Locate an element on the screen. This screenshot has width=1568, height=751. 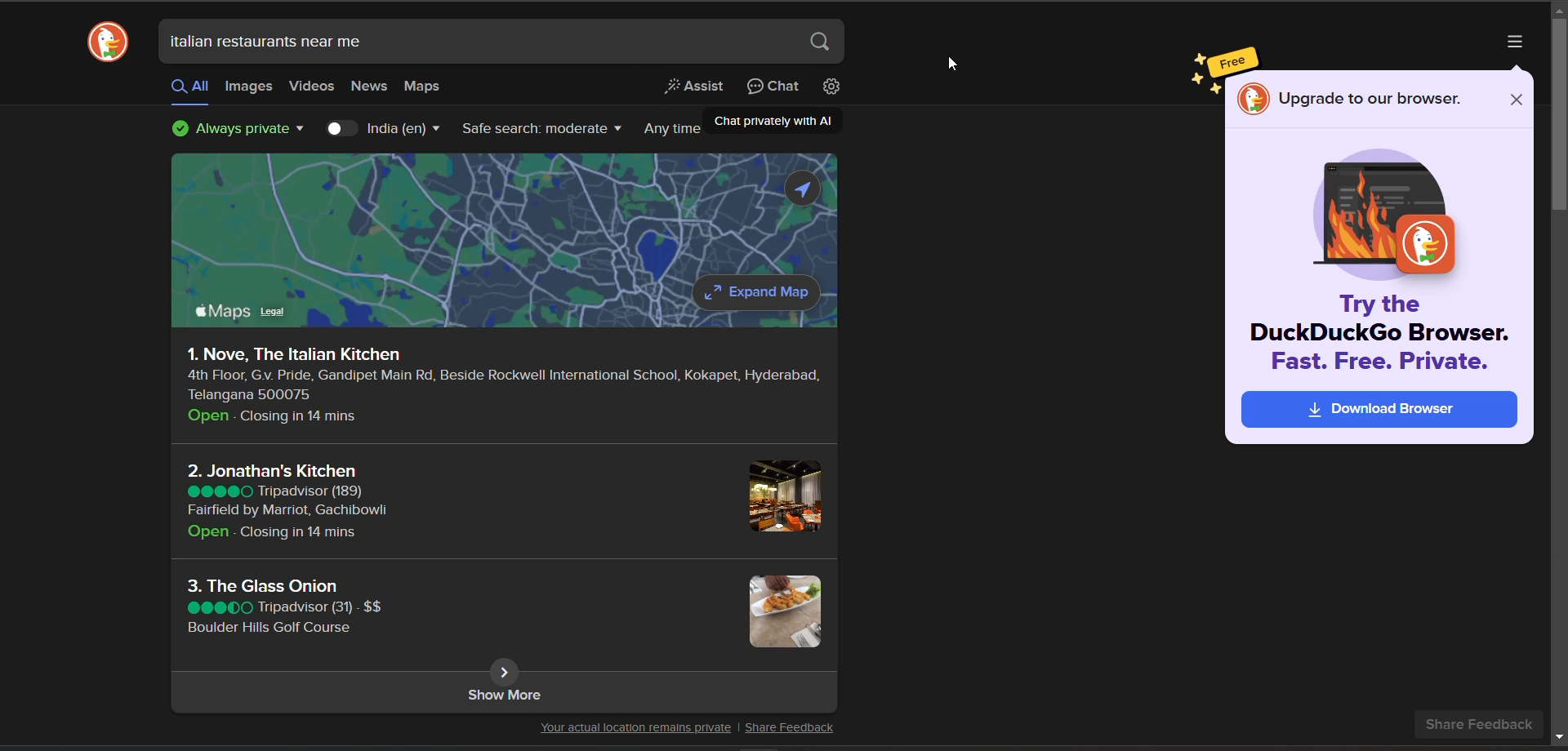
Boulder Hills Golf Course is located at coordinates (269, 628).